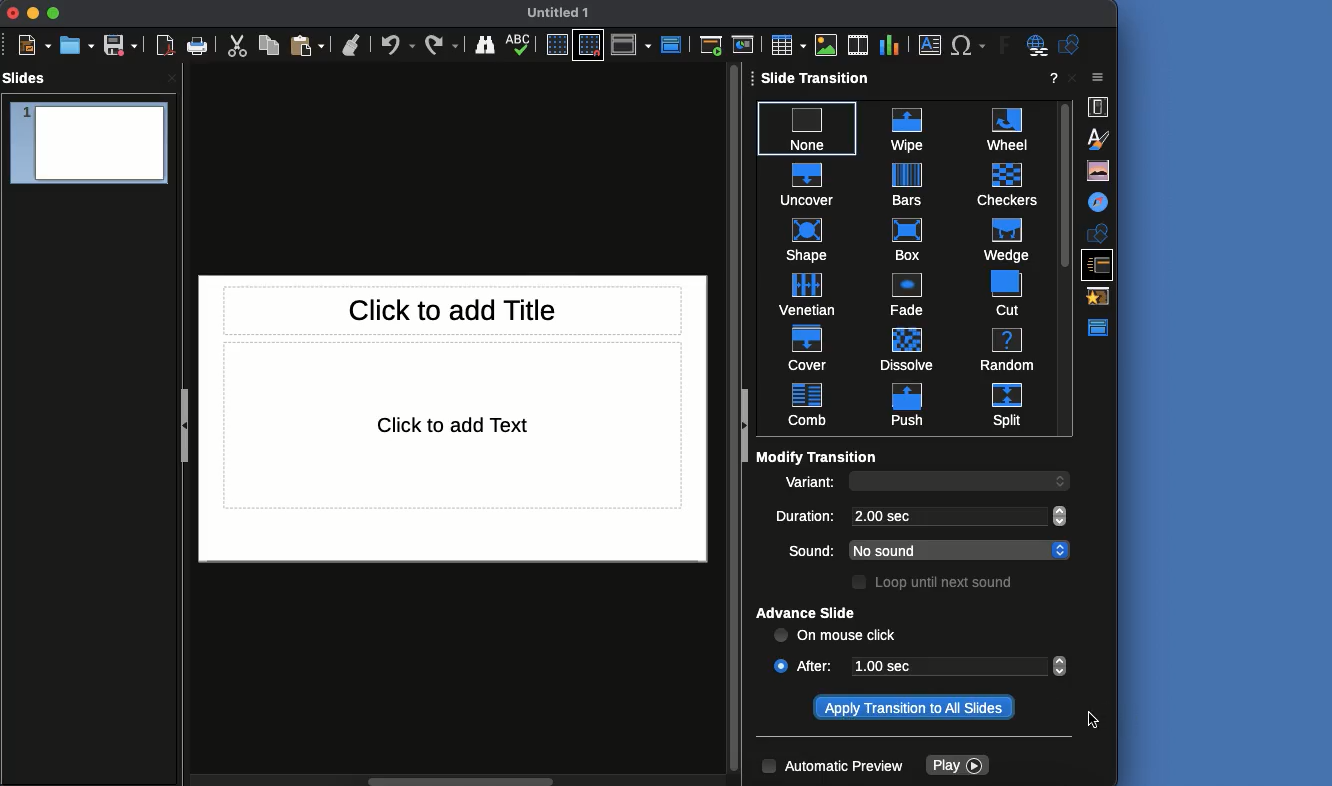  I want to click on cursor, so click(1094, 722).